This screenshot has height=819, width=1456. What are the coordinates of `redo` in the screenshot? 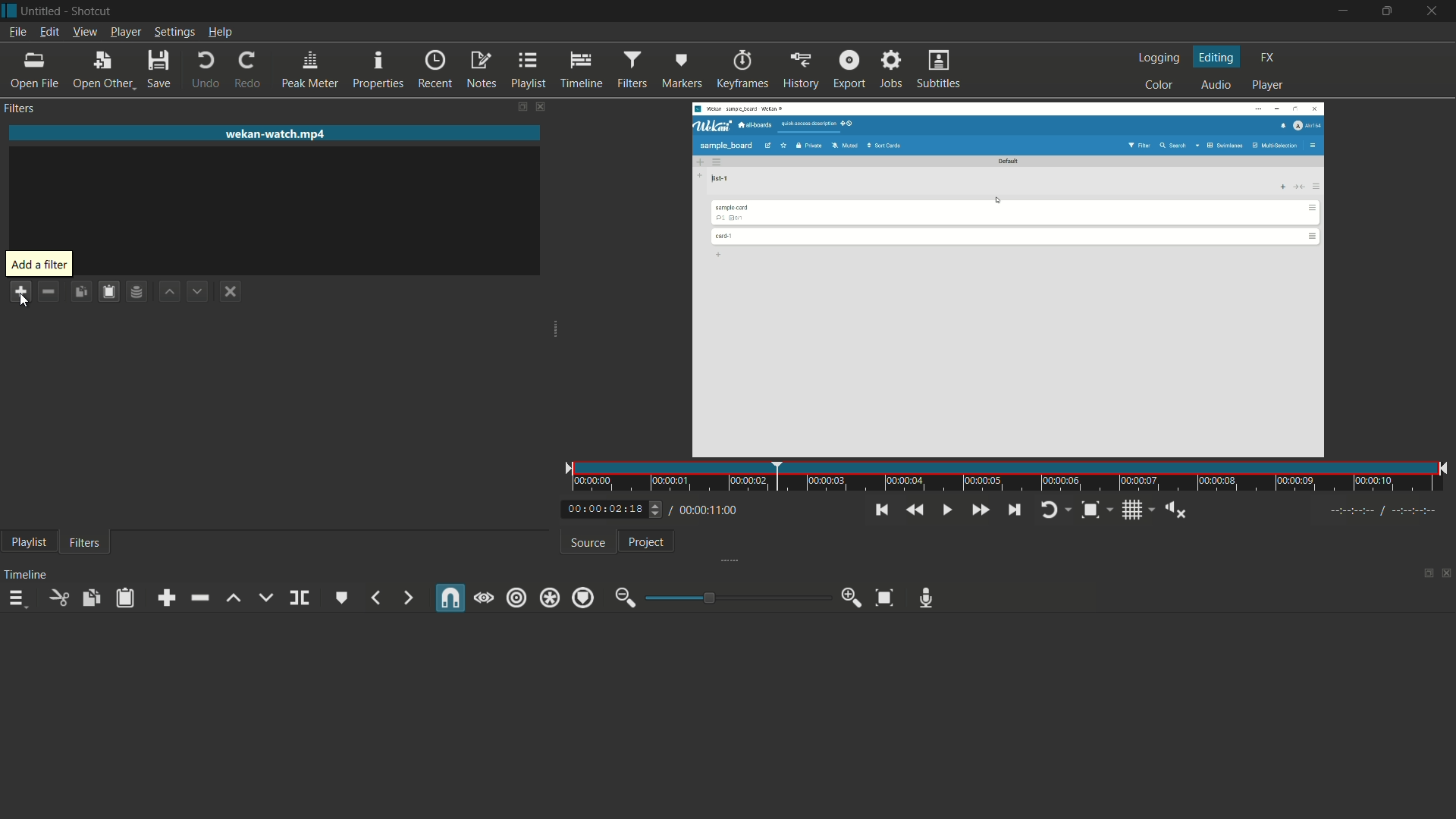 It's located at (246, 71).